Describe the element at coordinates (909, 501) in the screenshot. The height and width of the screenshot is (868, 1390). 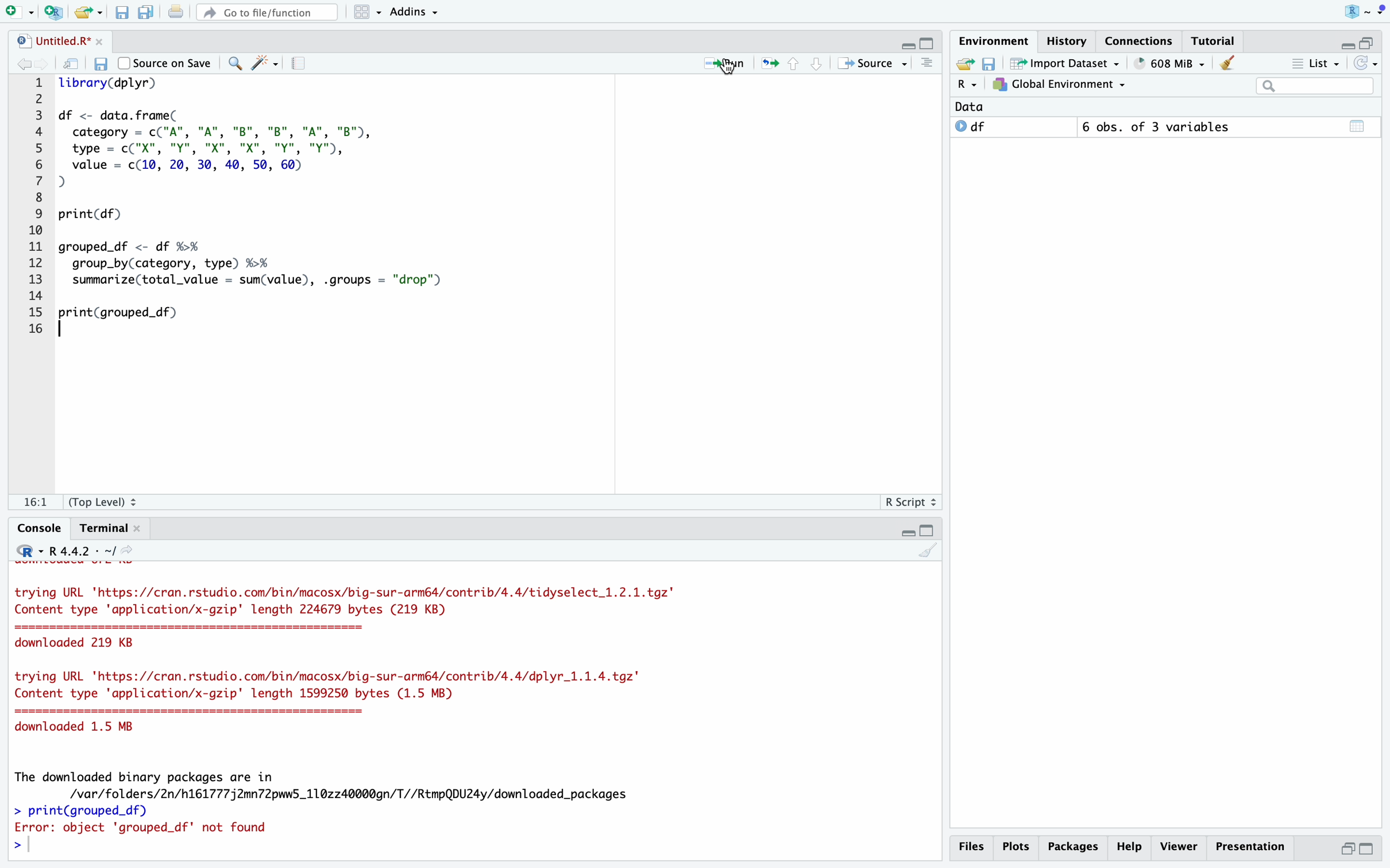
I see `R Script` at that location.